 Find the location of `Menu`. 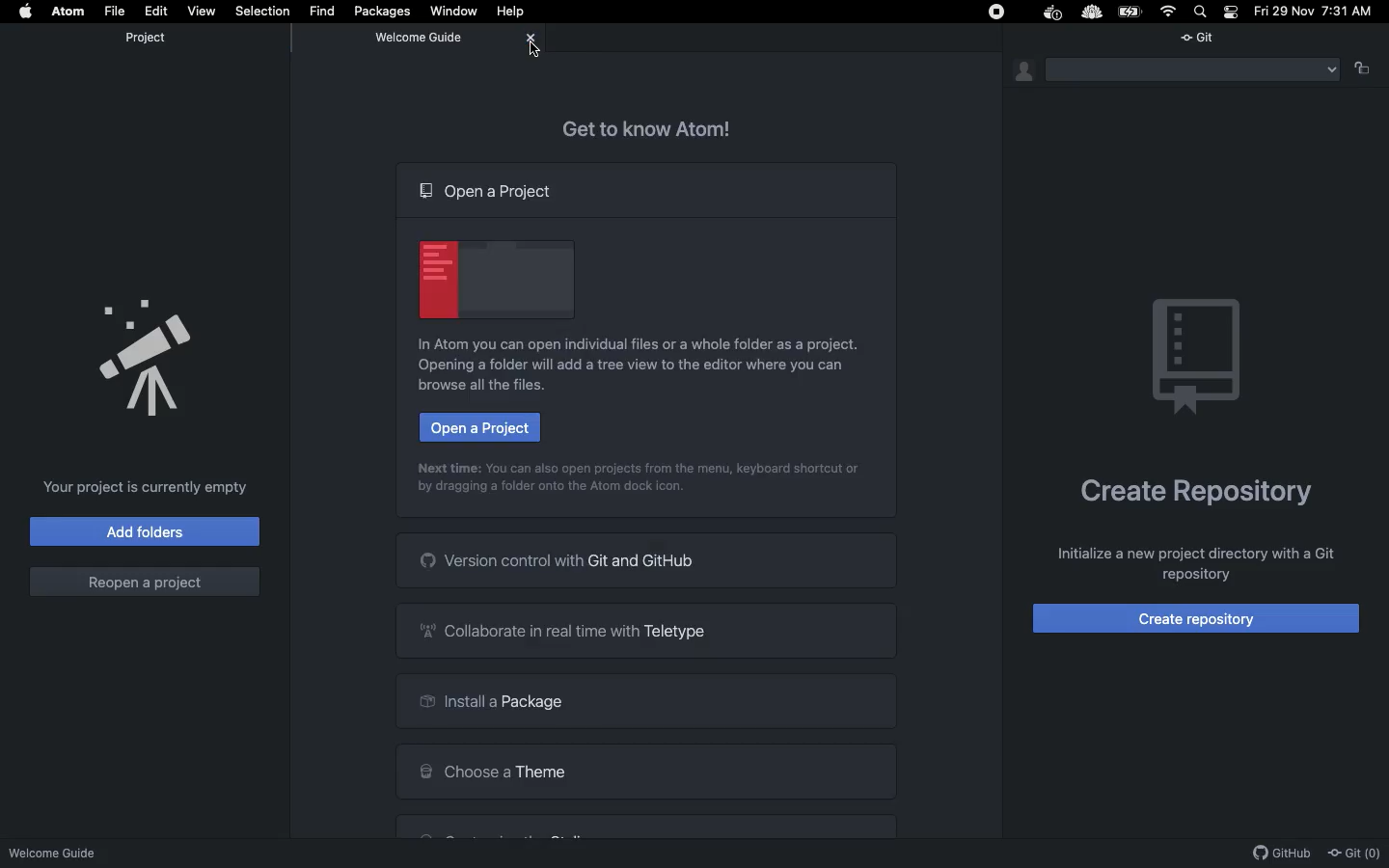

Menu is located at coordinates (1191, 70).